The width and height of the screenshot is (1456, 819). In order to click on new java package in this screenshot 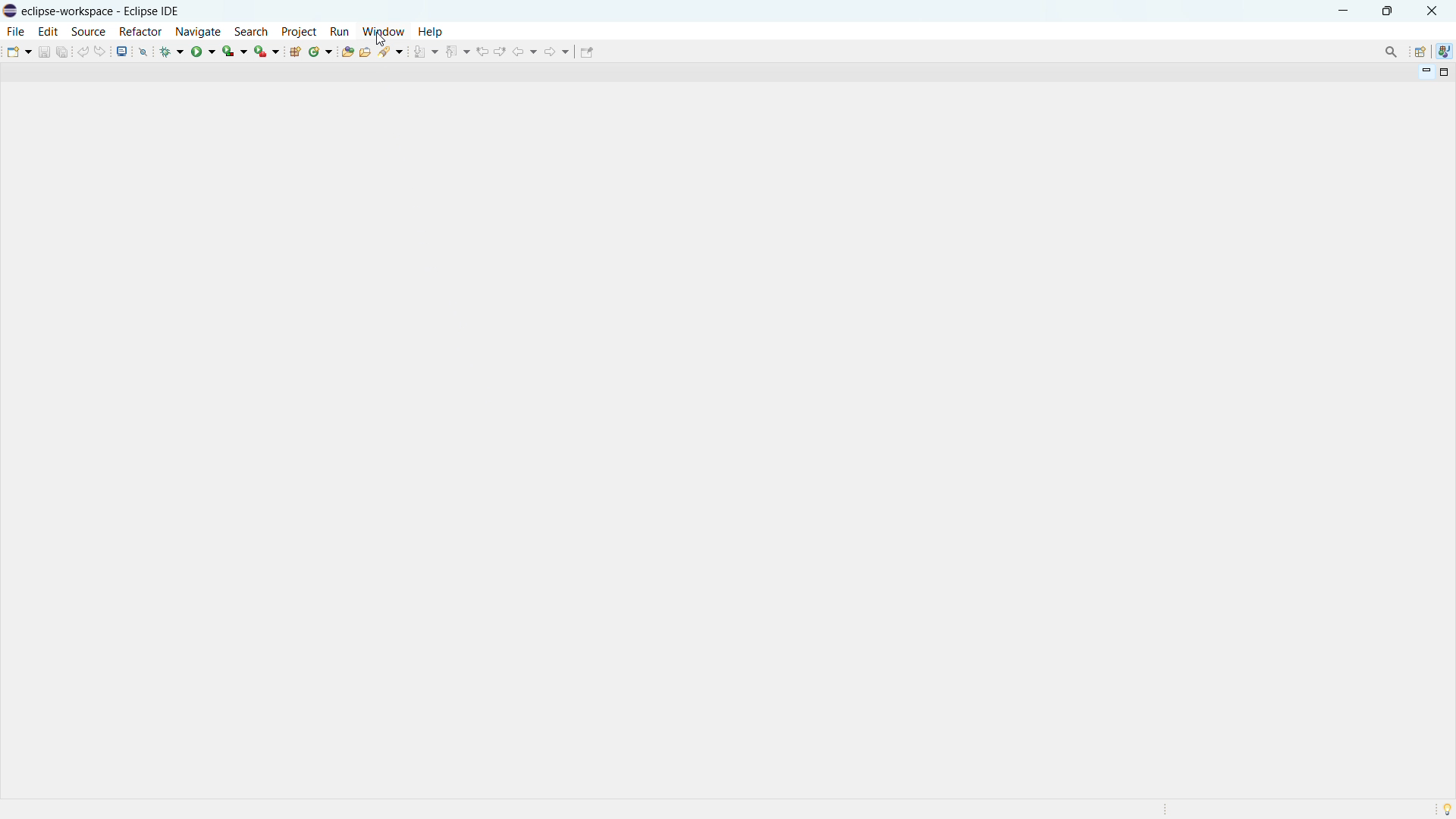, I will do `click(295, 52)`.